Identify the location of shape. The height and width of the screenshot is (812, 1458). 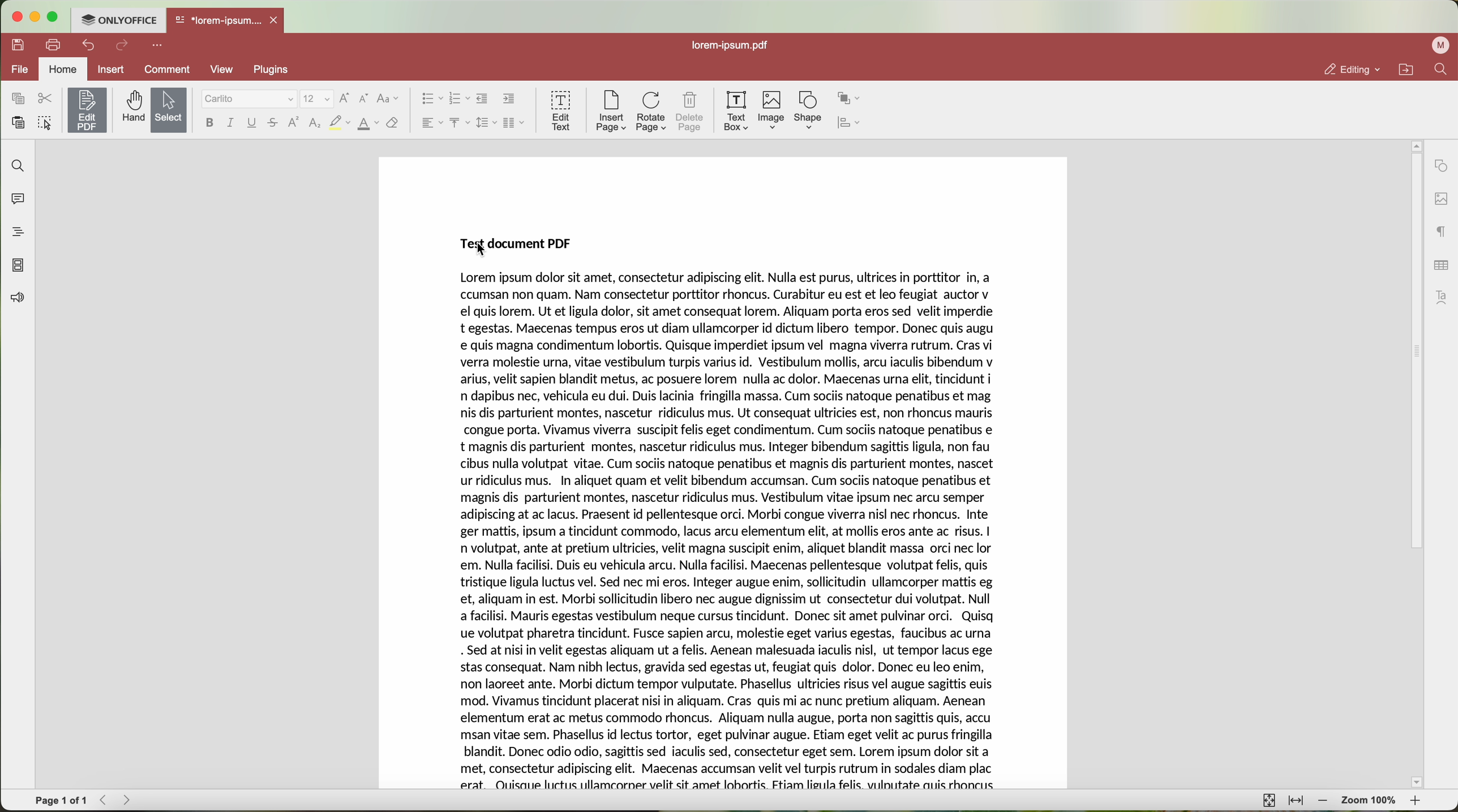
(807, 111).